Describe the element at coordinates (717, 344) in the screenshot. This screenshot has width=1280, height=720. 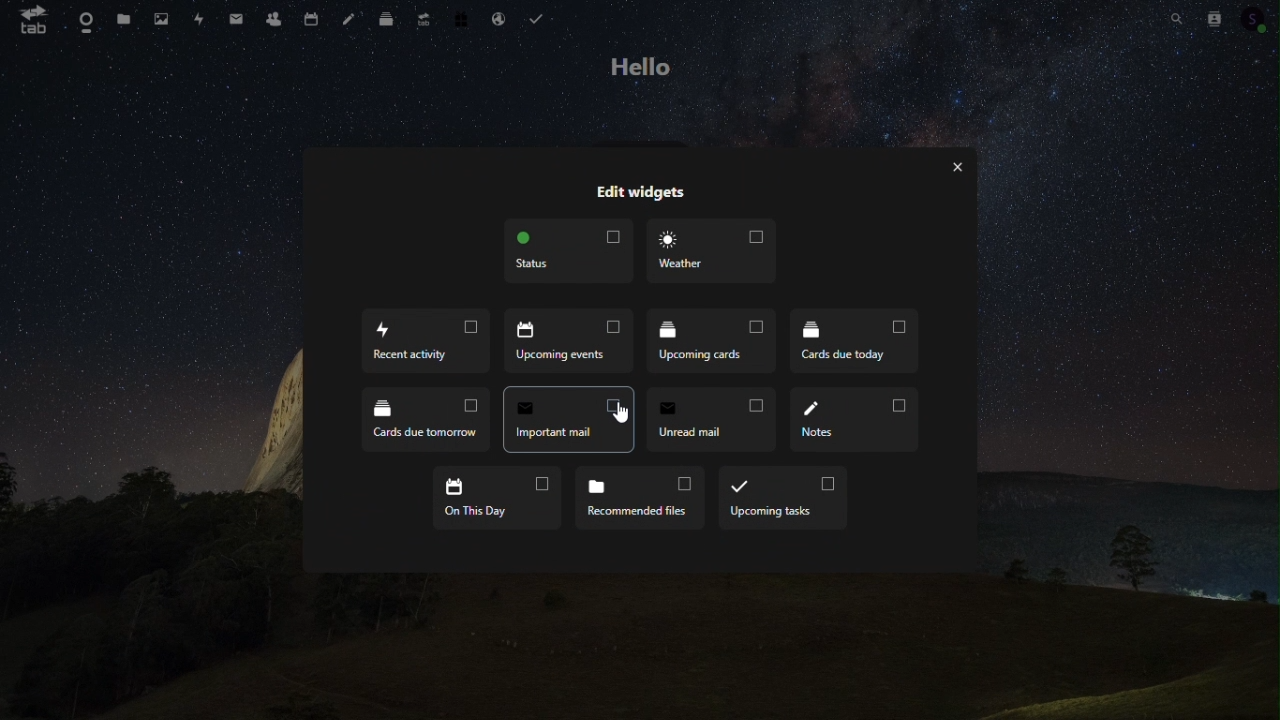
I see `upcoming task` at that location.